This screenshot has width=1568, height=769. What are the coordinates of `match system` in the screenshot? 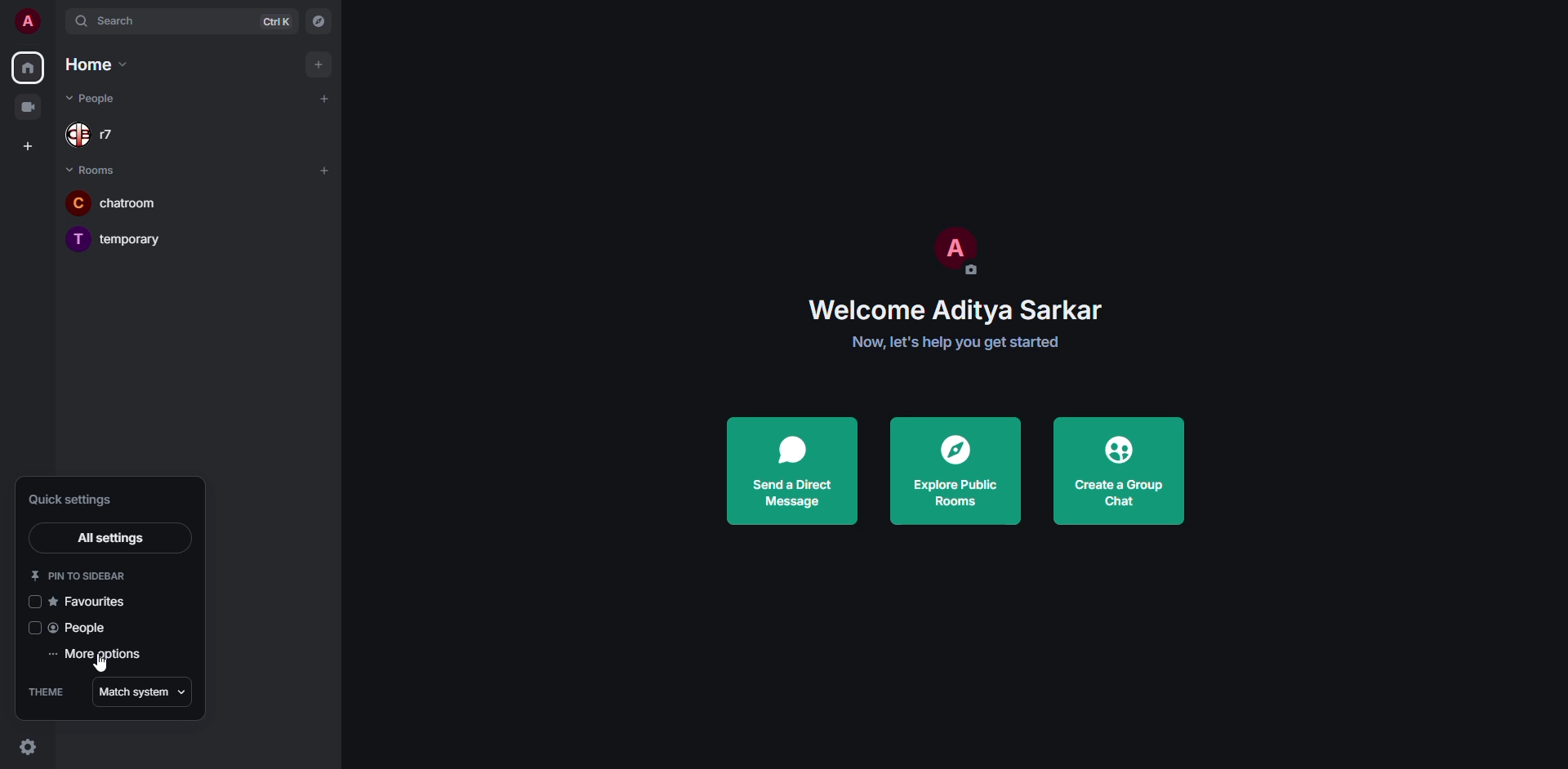 It's located at (143, 691).